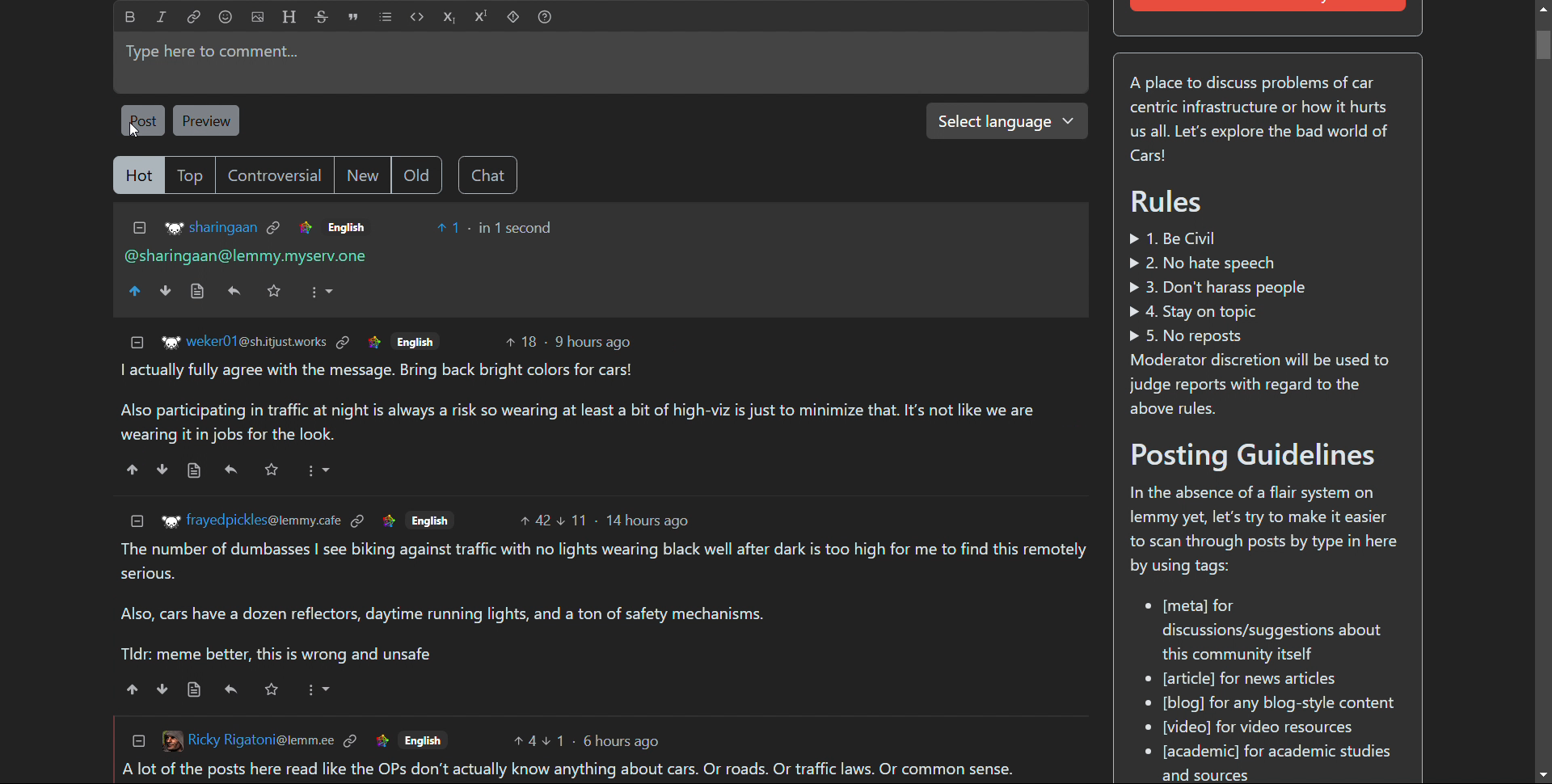 The height and width of the screenshot is (784, 1552). I want to click on view source, so click(194, 470).